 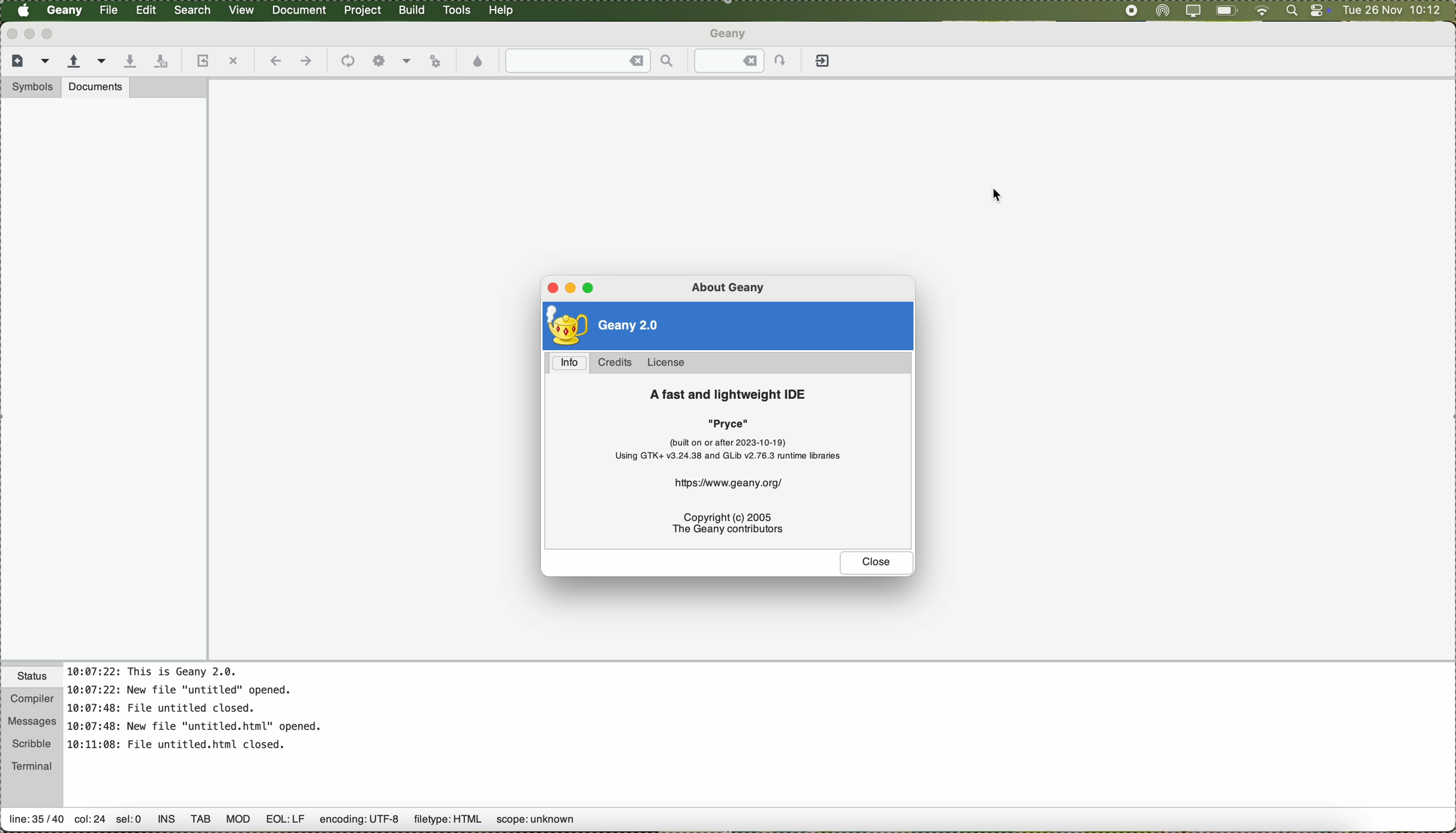 I want to click on side bar, so click(x=105, y=380).